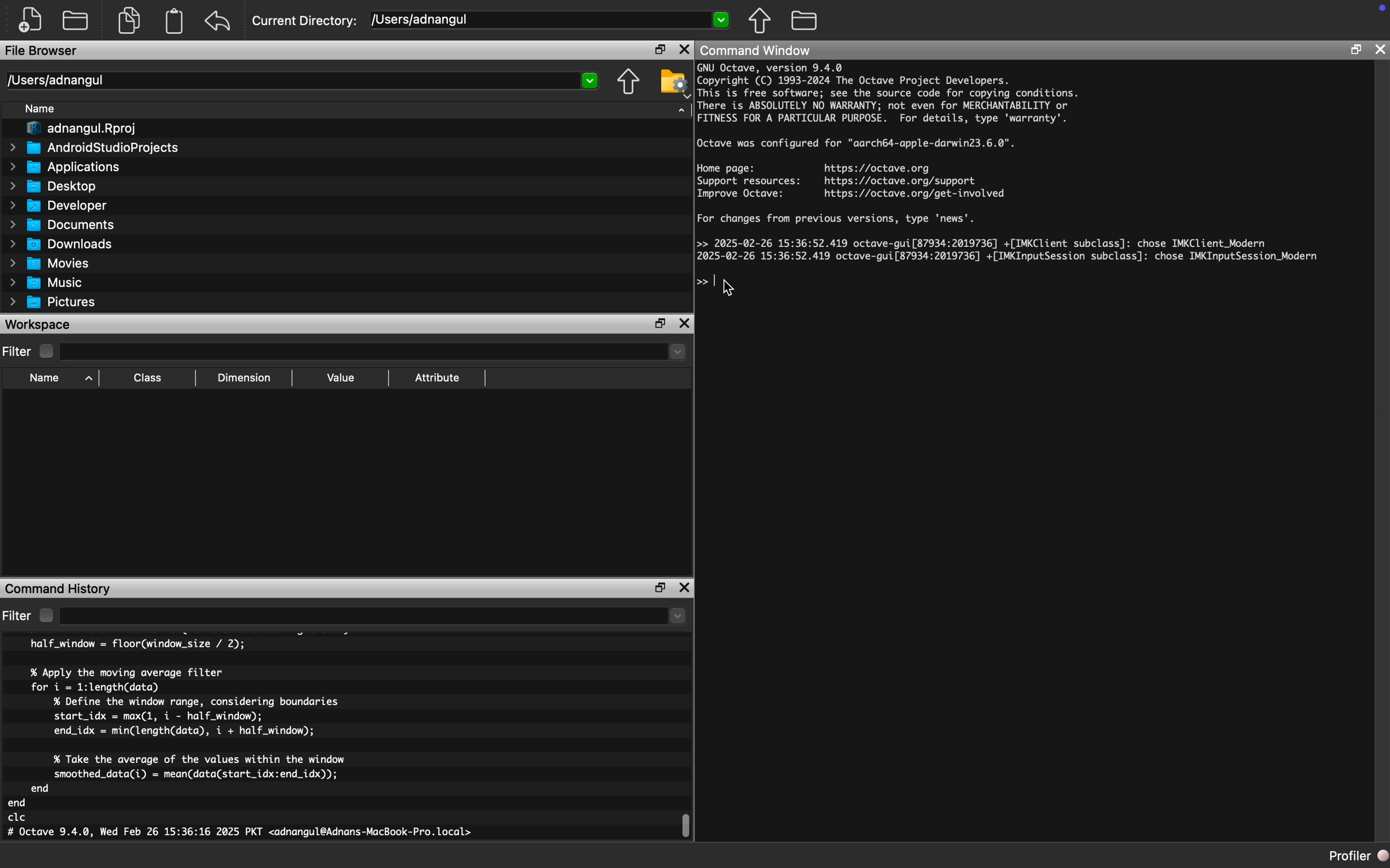  What do you see at coordinates (58, 589) in the screenshot?
I see `Command History` at bounding box center [58, 589].